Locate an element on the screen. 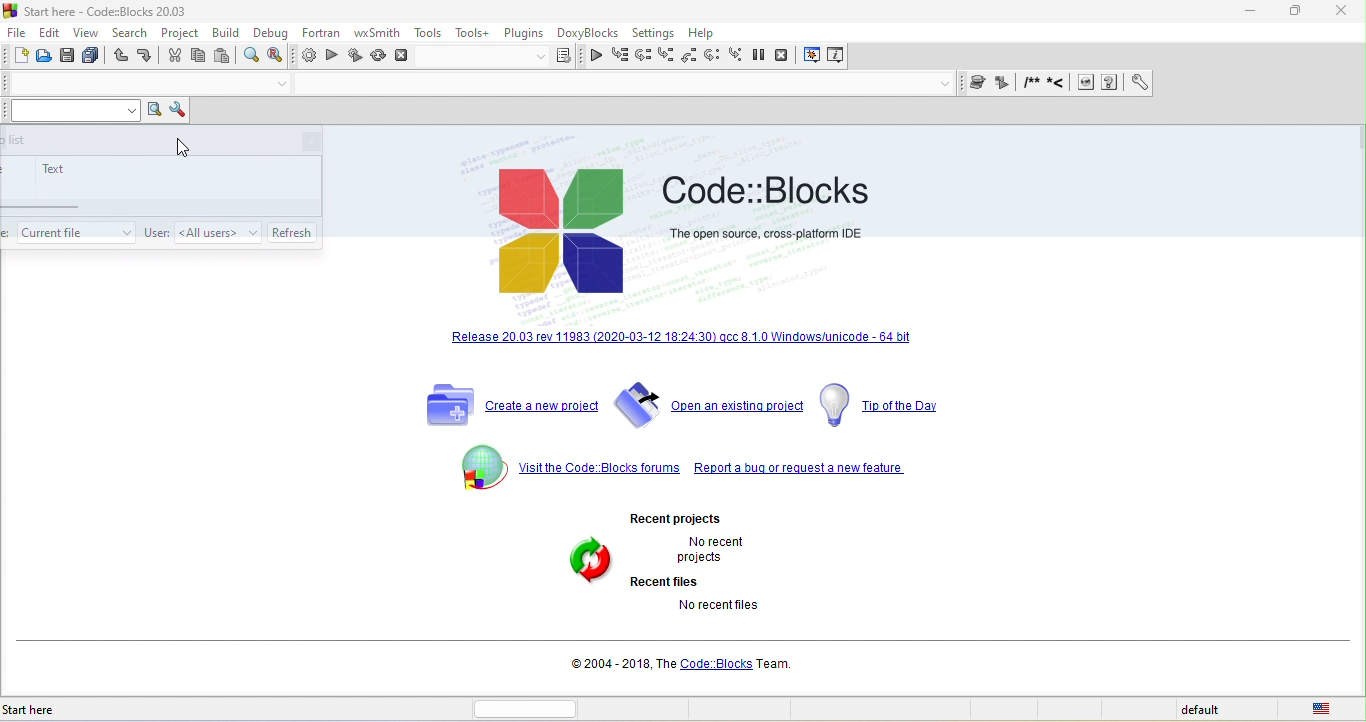 Image resolution: width=1366 pixels, height=722 pixels. file is located at coordinates (20, 32).